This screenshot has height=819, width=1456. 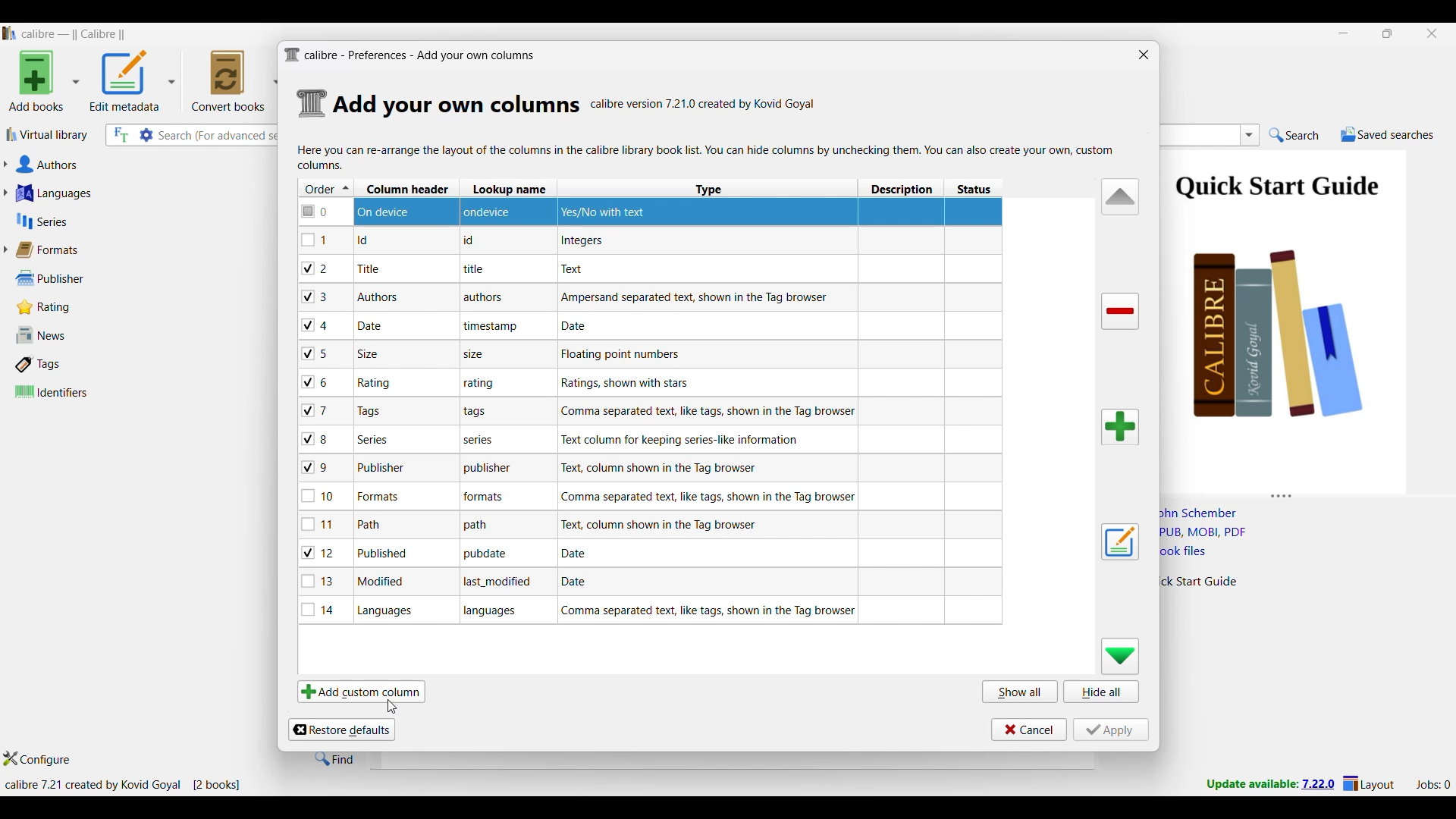 What do you see at coordinates (5, 208) in the screenshot?
I see `Click to expand respective section` at bounding box center [5, 208].